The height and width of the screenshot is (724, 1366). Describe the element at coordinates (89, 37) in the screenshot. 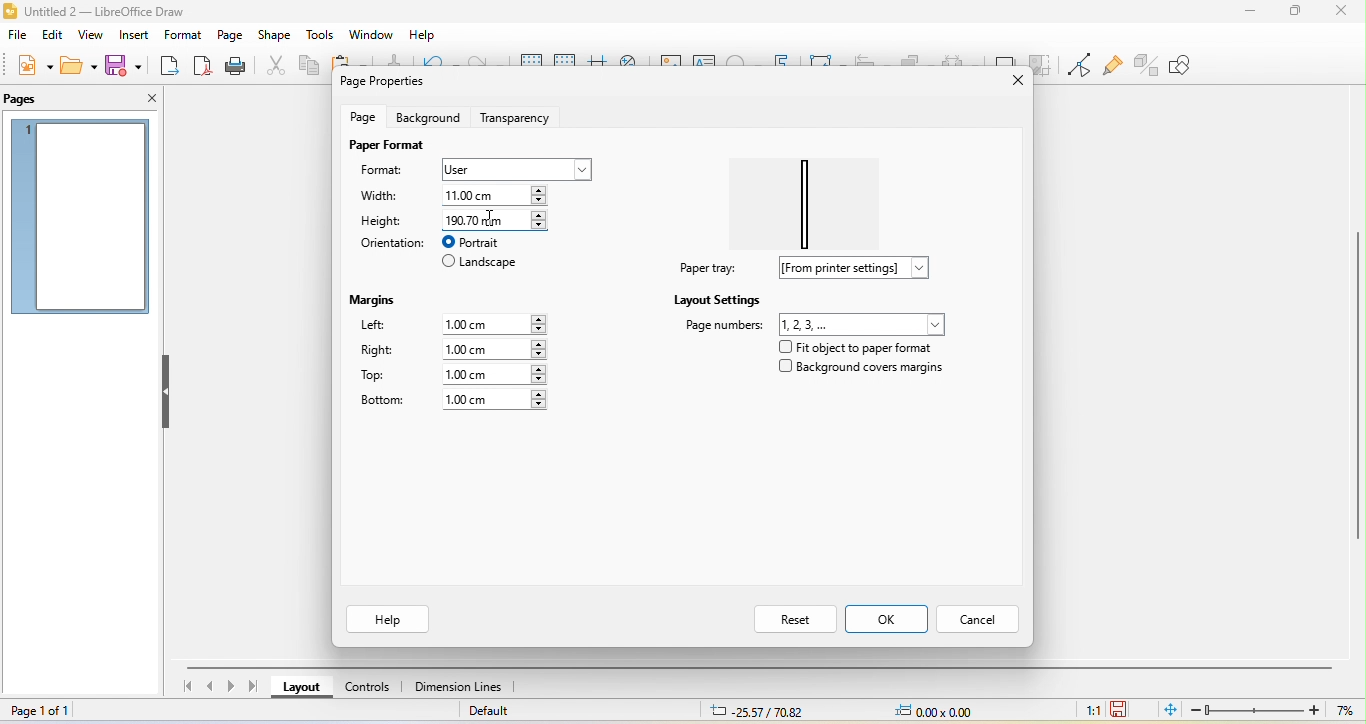

I see `view` at that location.